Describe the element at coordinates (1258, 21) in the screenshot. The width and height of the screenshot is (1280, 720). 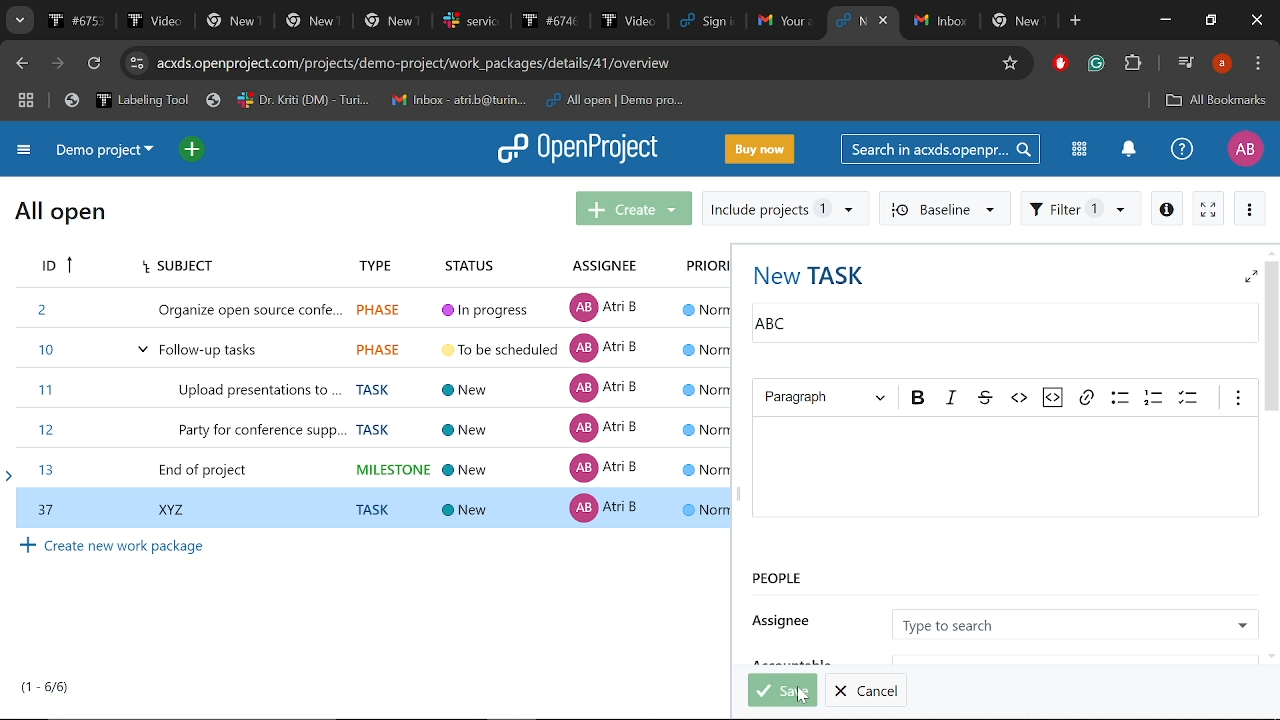
I see `Close` at that location.